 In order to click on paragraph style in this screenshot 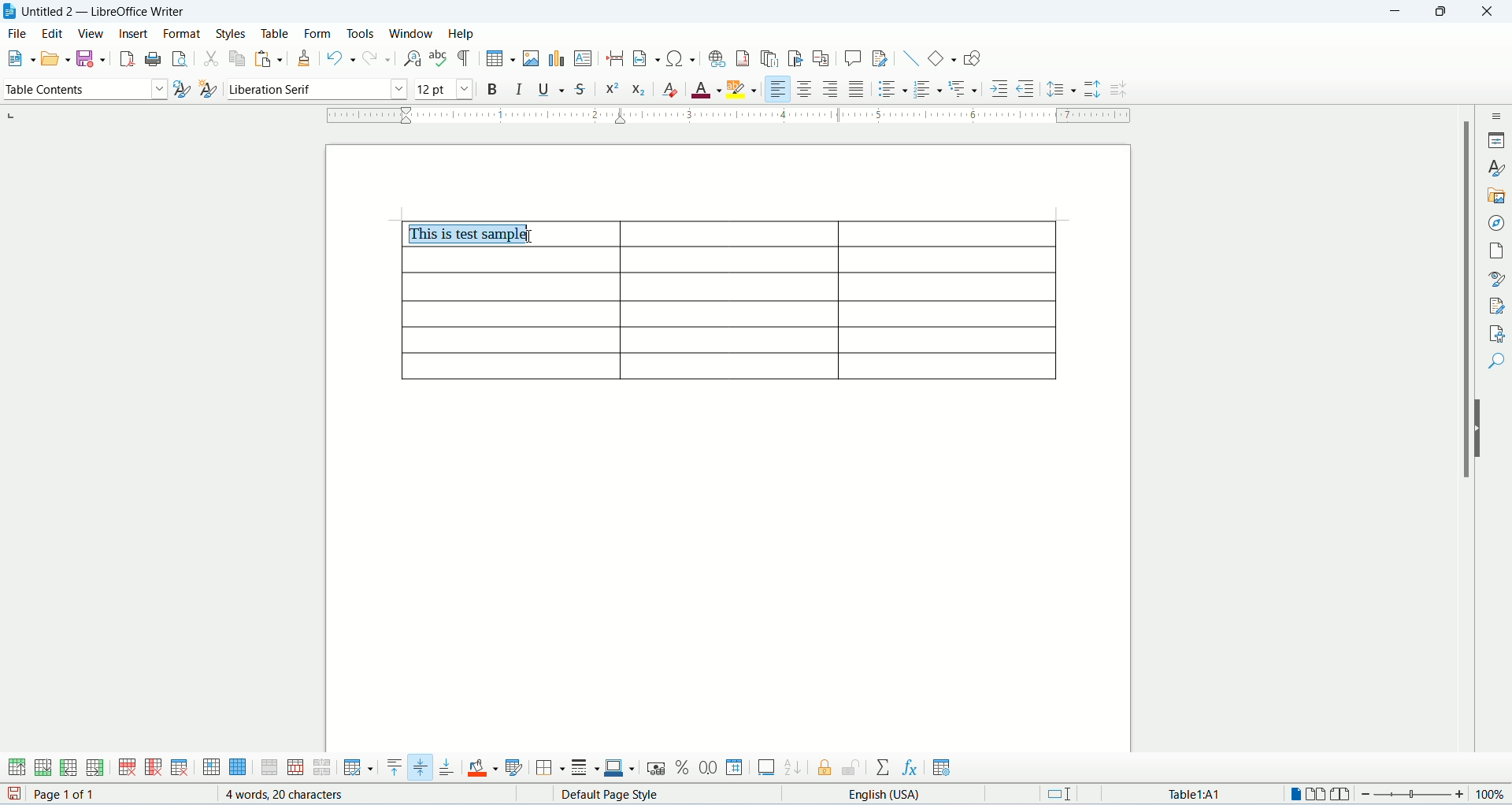, I will do `click(83, 90)`.